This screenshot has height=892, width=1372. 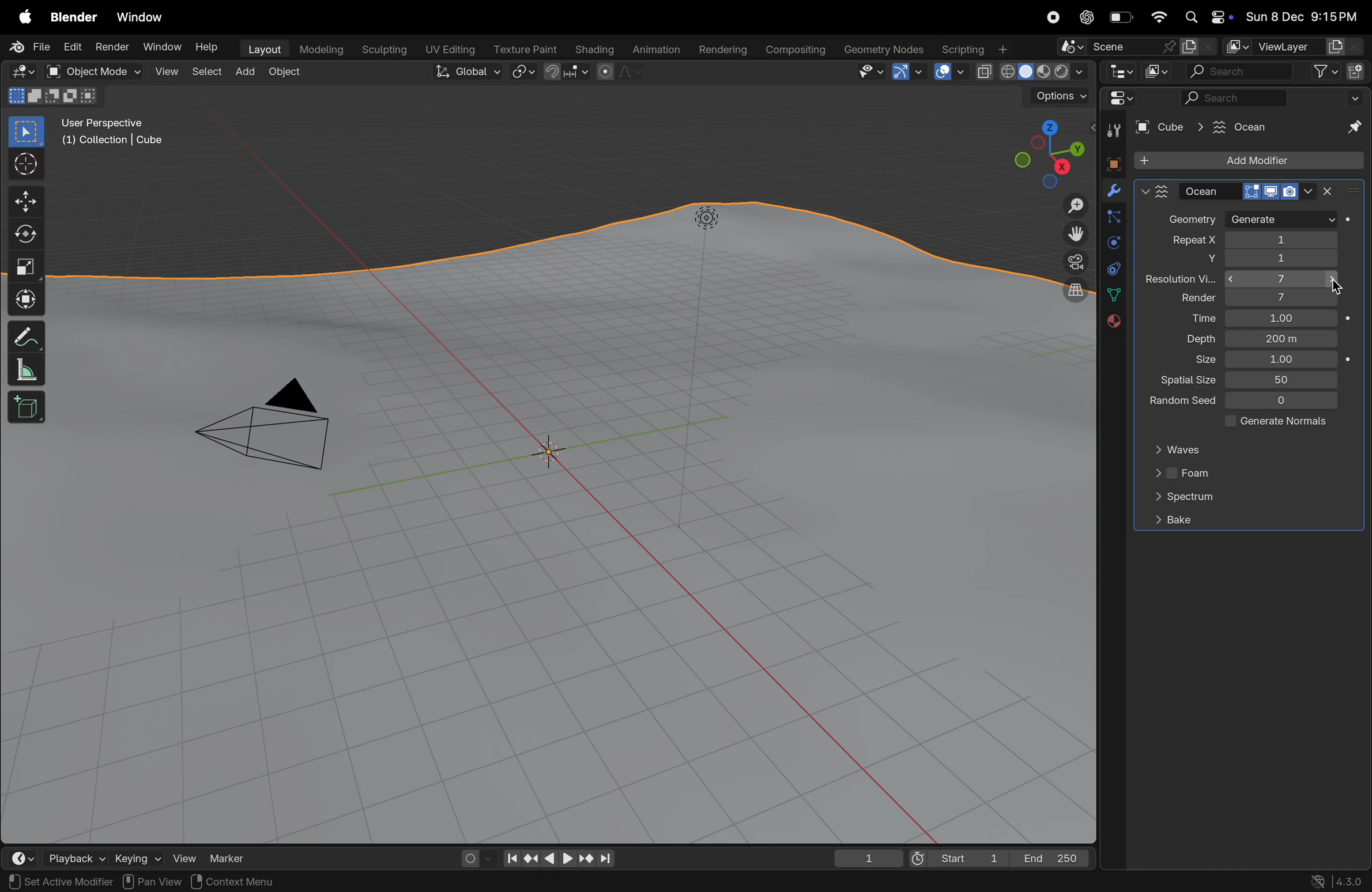 I want to click on drop down, so click(x=1358, y=97).